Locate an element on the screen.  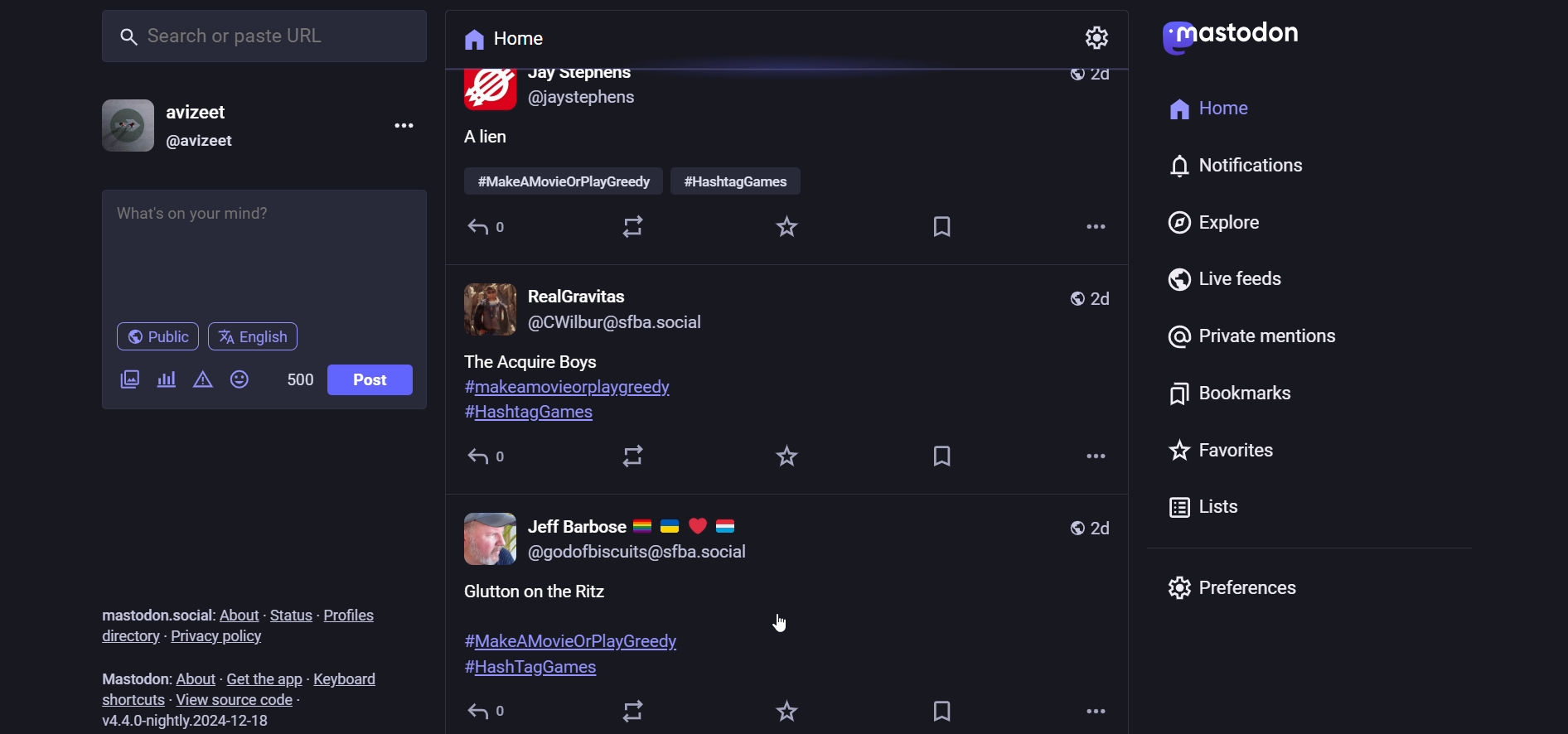
hashtag is located at coordinates (535, 669).